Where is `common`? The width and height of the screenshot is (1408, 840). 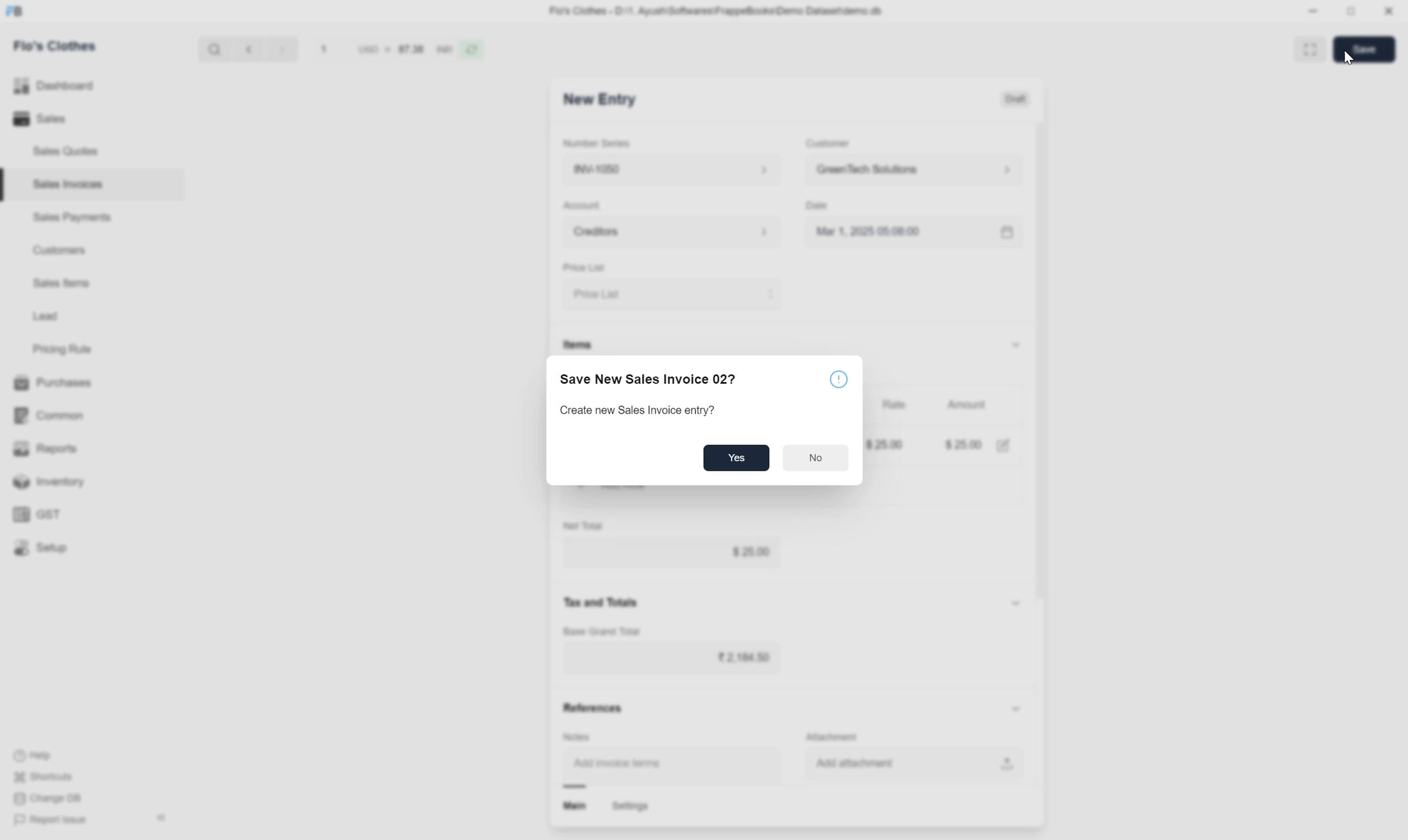
common is located at coordinates (74, 413).